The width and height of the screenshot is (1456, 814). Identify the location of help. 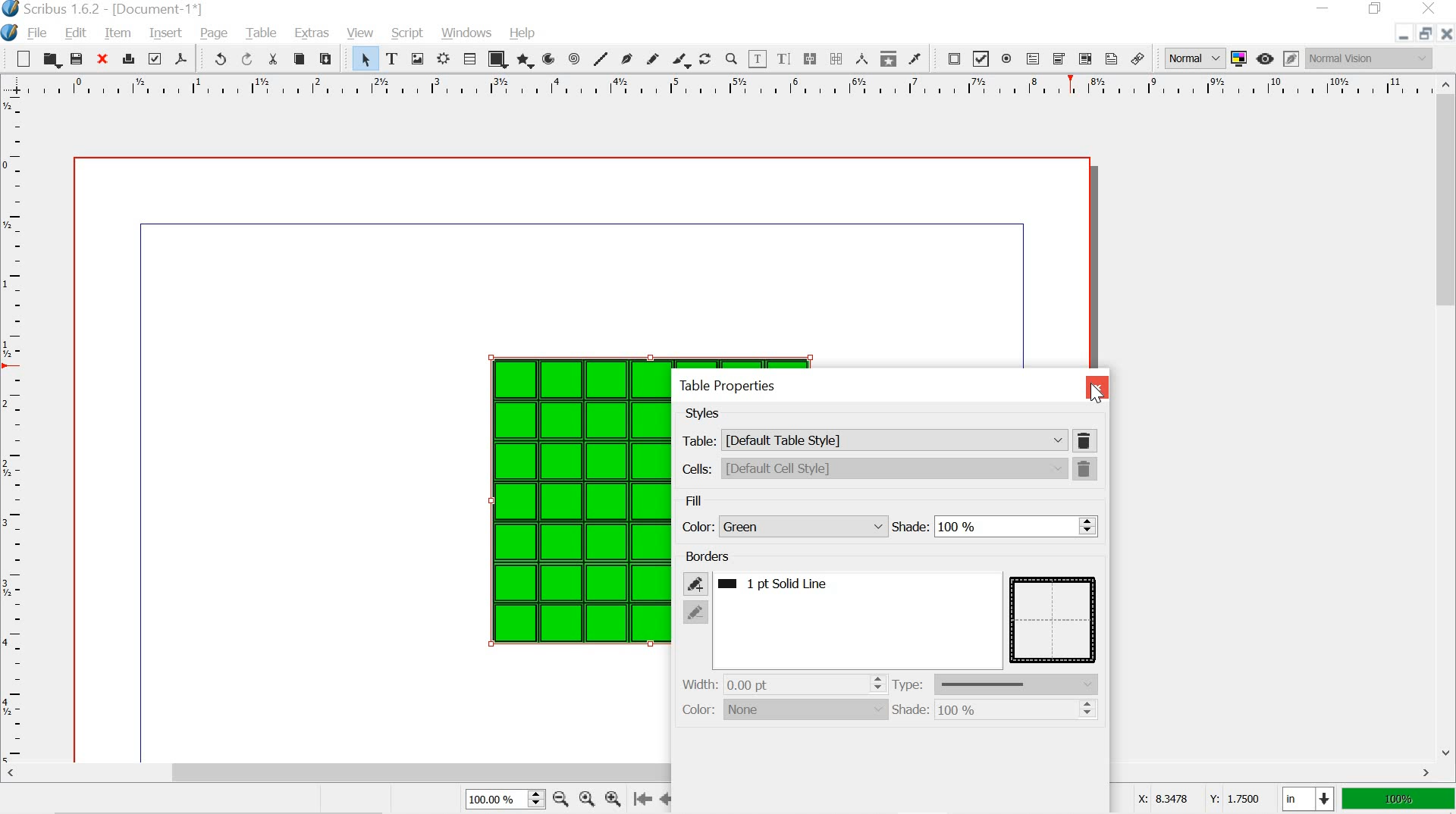
(523, 31).